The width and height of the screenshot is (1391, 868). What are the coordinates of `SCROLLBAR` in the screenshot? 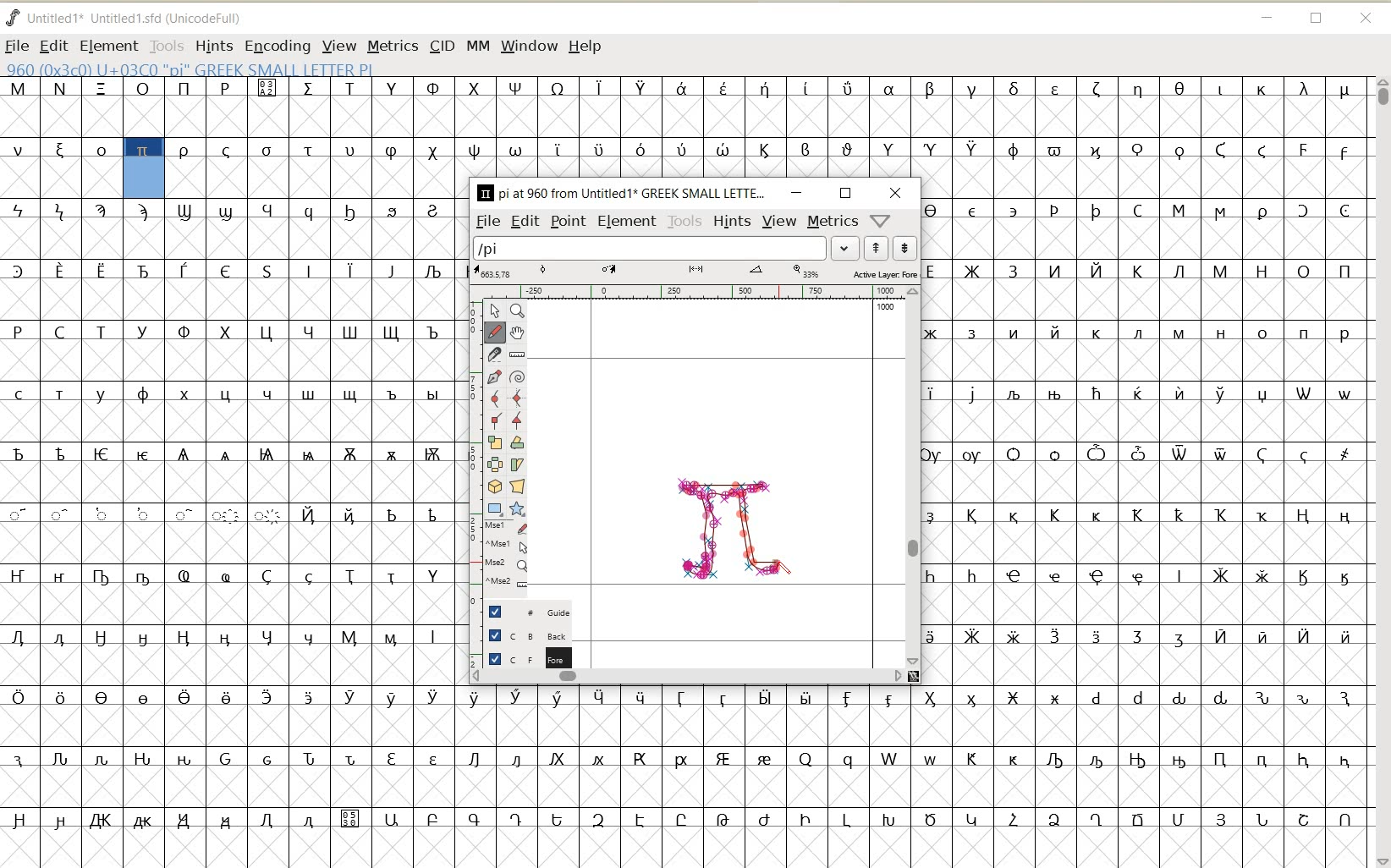 It's located at (1381, 471).